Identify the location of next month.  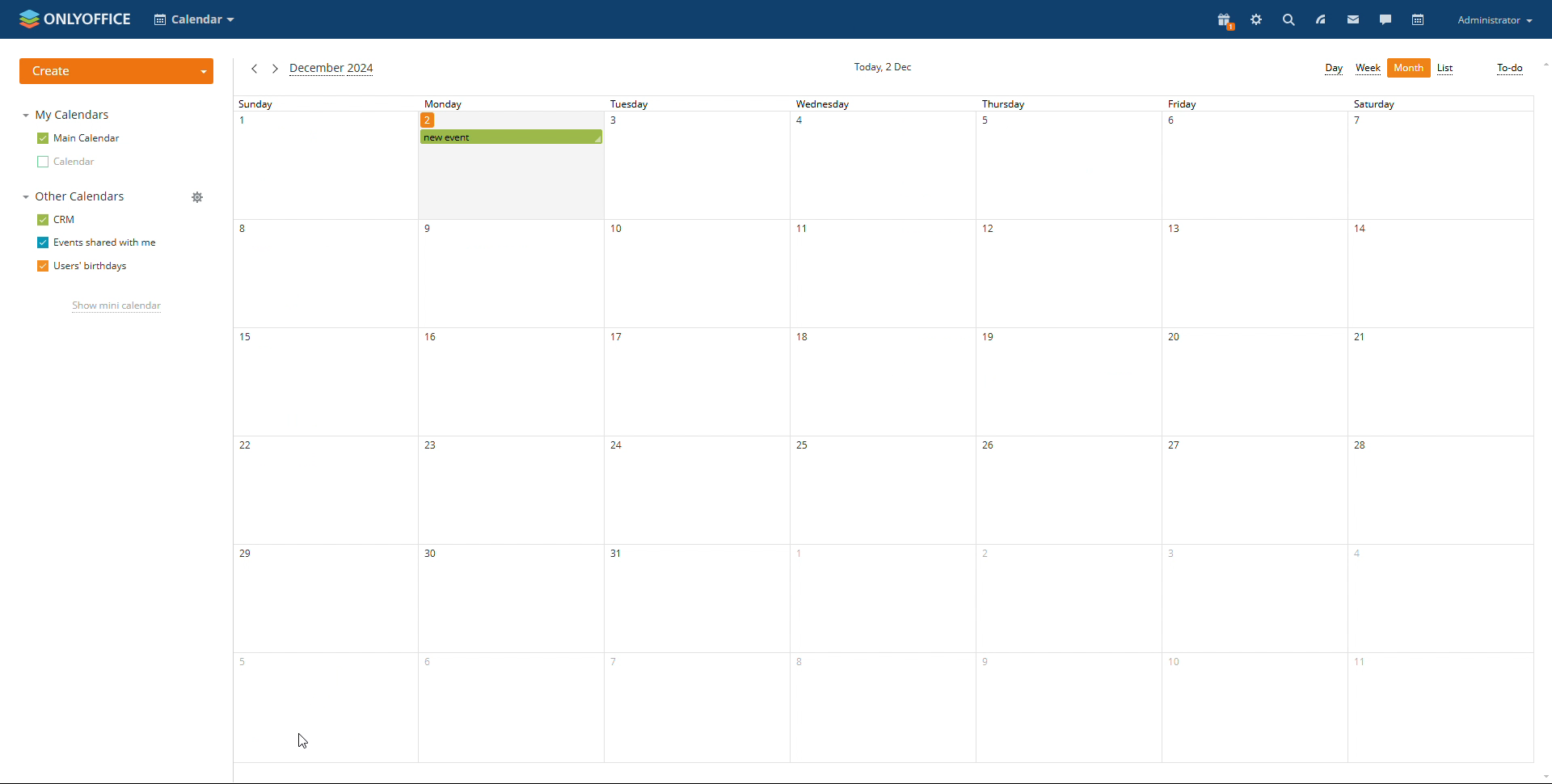
(273, 70).